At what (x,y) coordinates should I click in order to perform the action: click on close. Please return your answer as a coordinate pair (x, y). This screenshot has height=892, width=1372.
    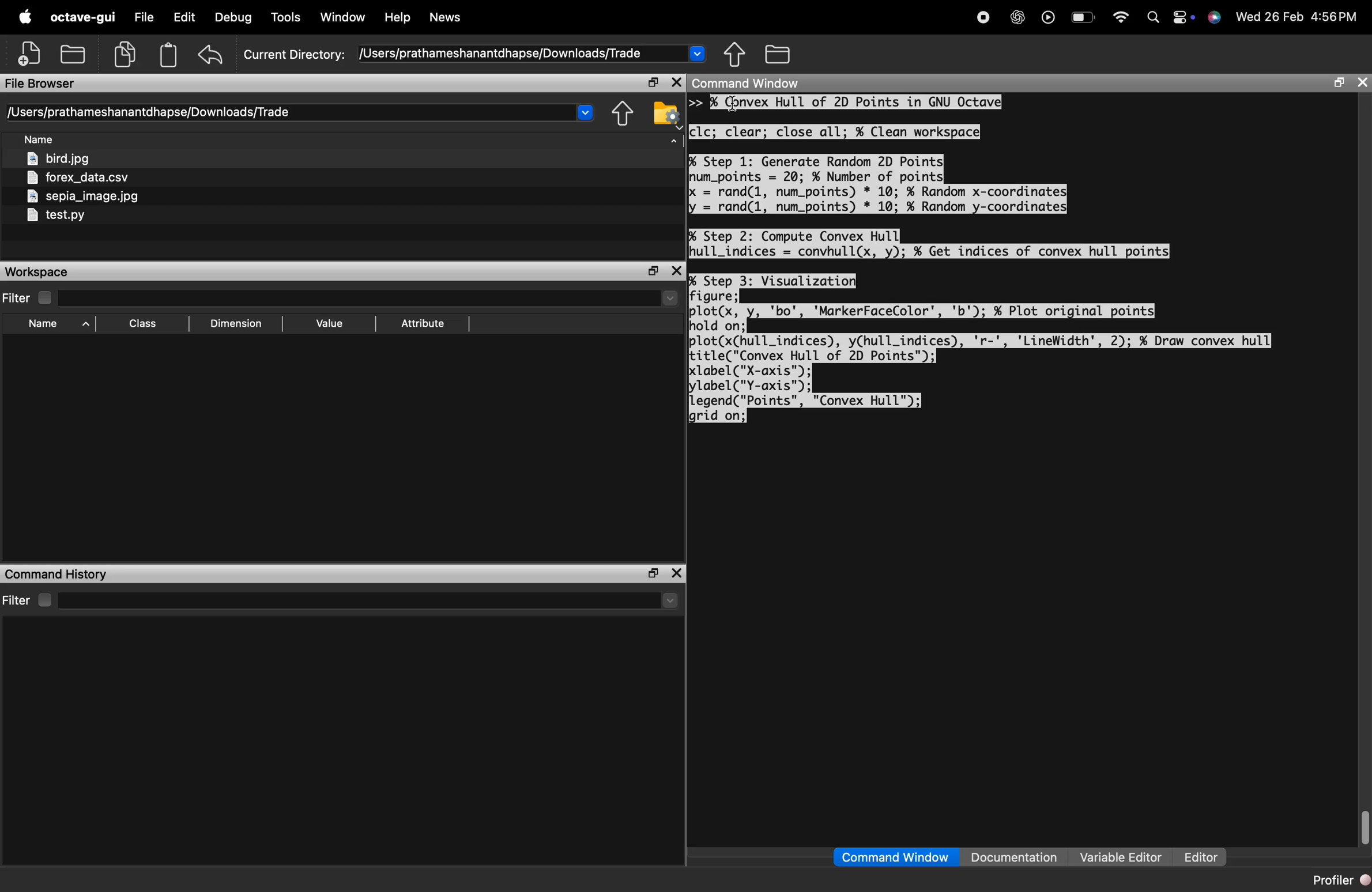
    Looking at the image, I should click on (1364, 82).